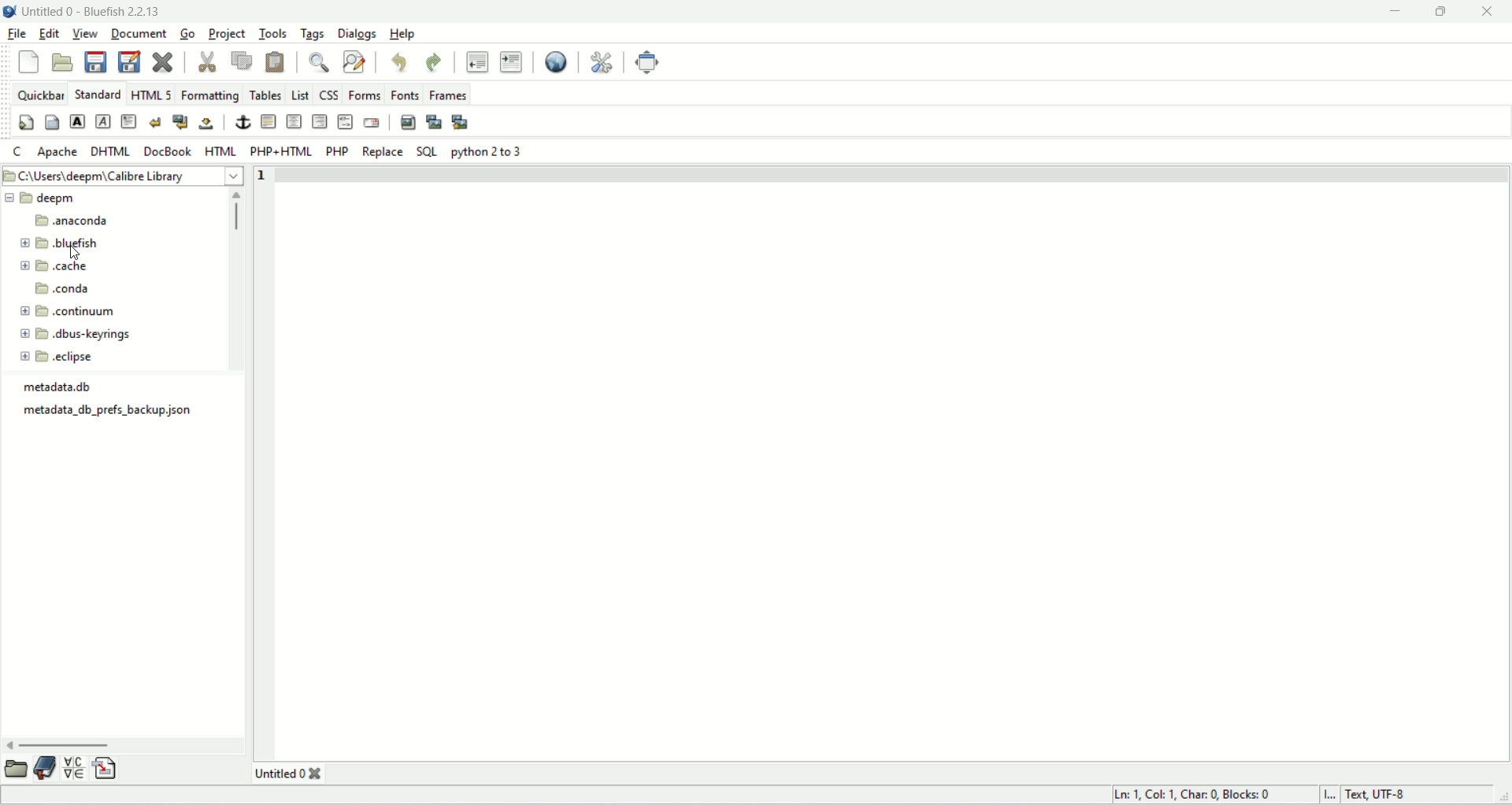 The image size is (1512, 805). Describe the element at coordinates (187, 35) in the screenshot. I see `go` at that location.